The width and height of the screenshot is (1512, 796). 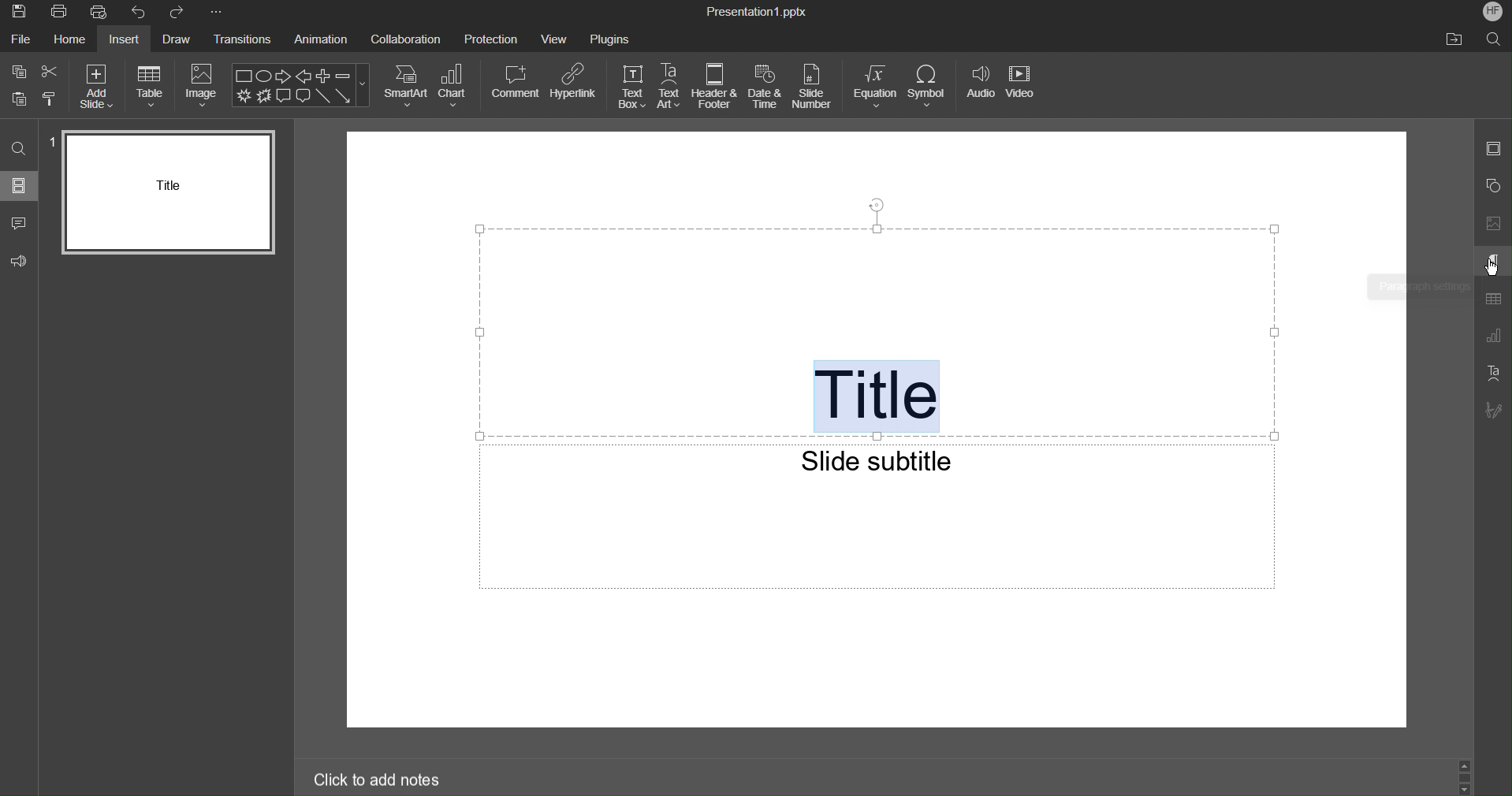 What do you see at coordinates (1492, 13) in the screenshot?
I see `HF` at bounding box center [1492, 13].